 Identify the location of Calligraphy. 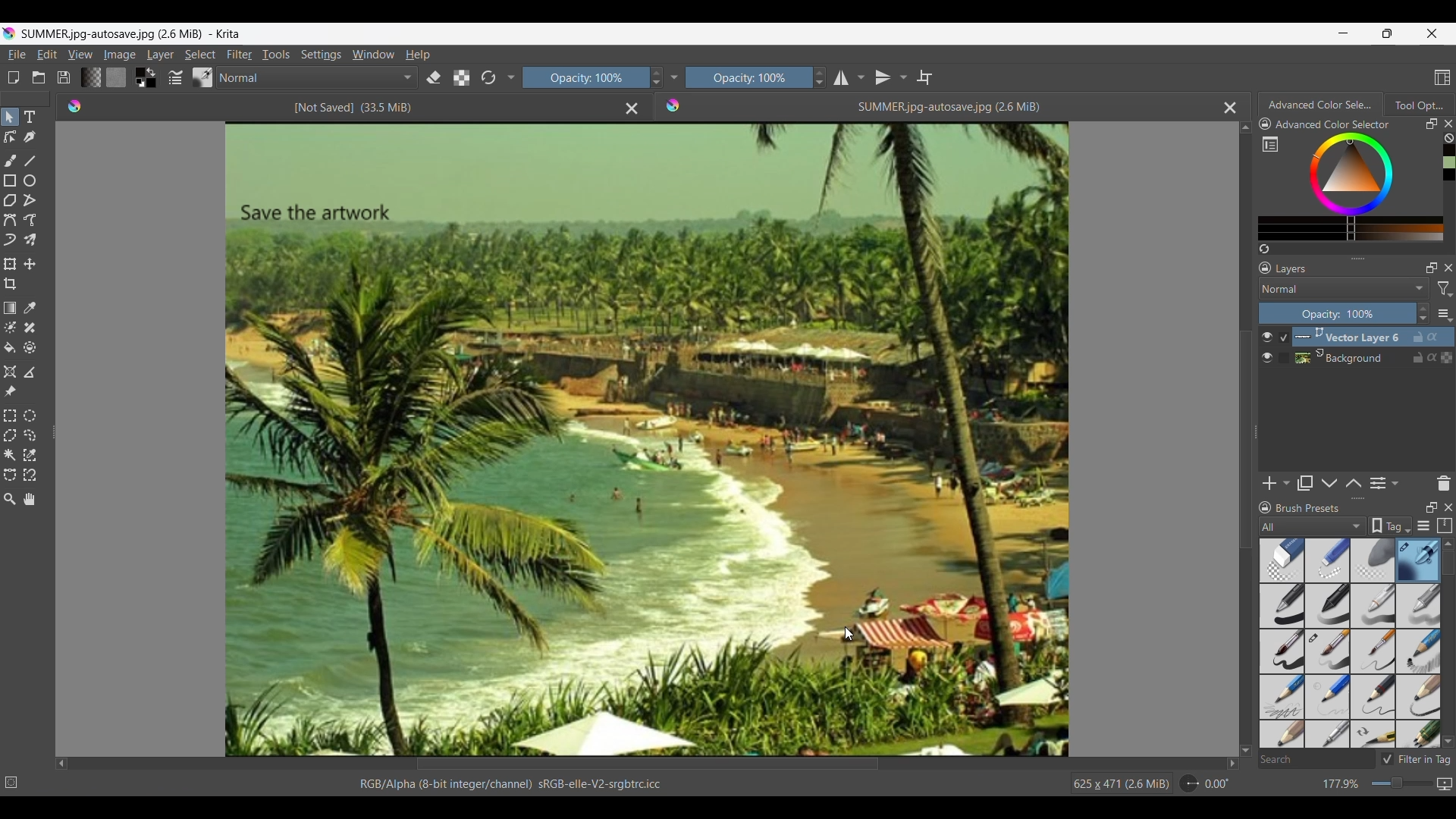
(30, 138).